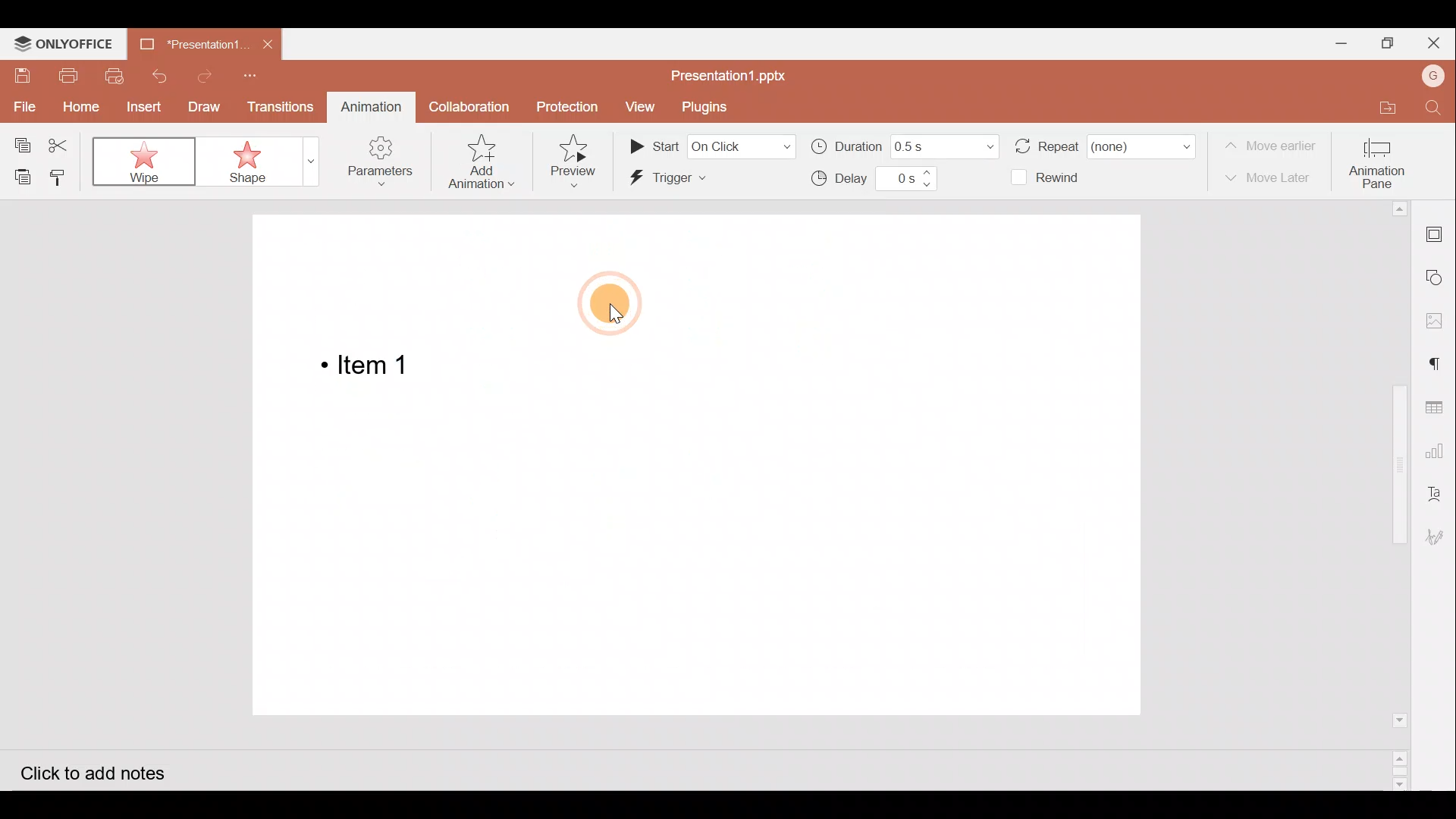 The height and width of the screenshot is (819, 1456). I want to click on Protection, so click(566, 108).